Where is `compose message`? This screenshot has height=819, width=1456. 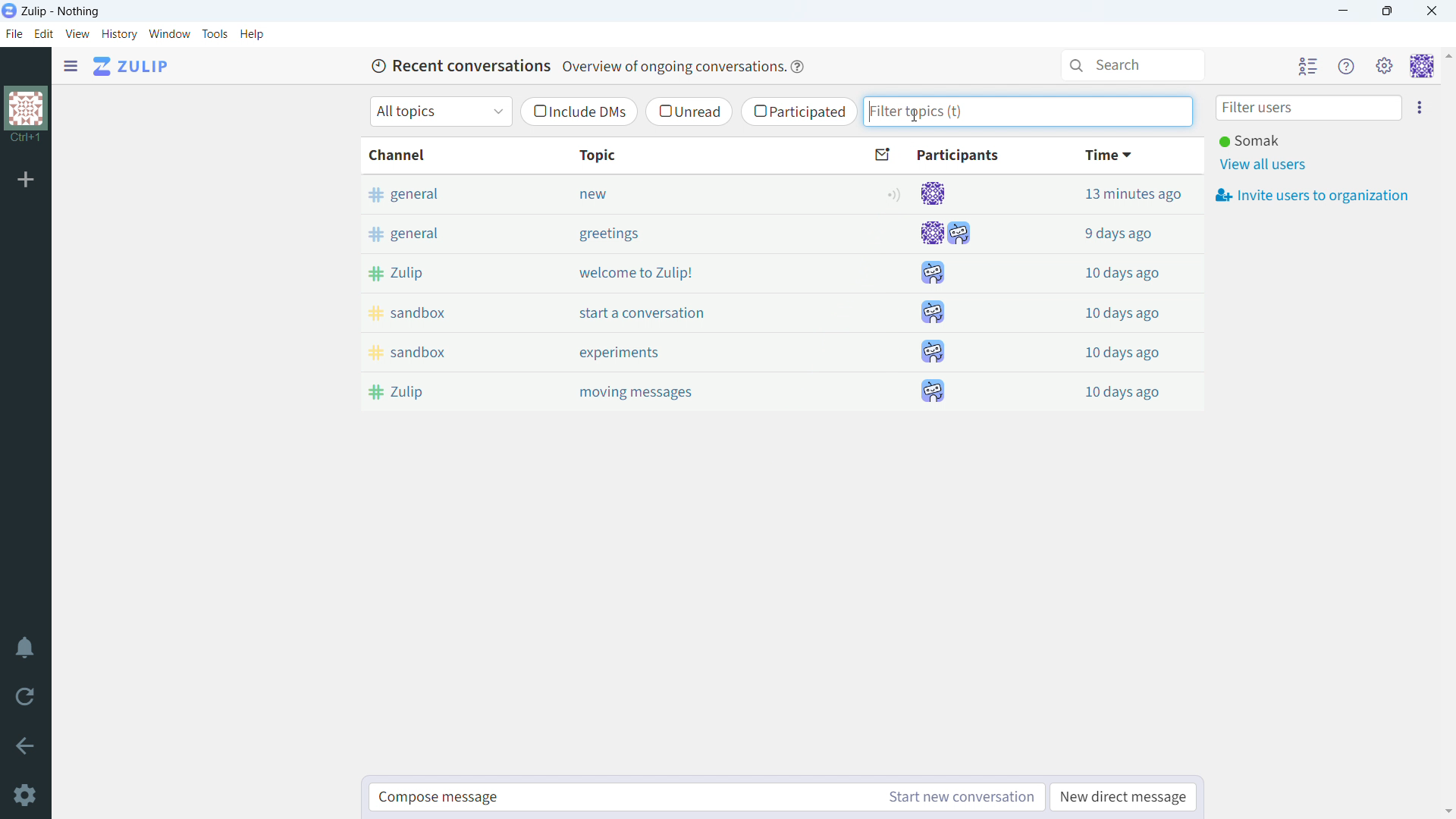 compose message is located at coordinates (620, 798).